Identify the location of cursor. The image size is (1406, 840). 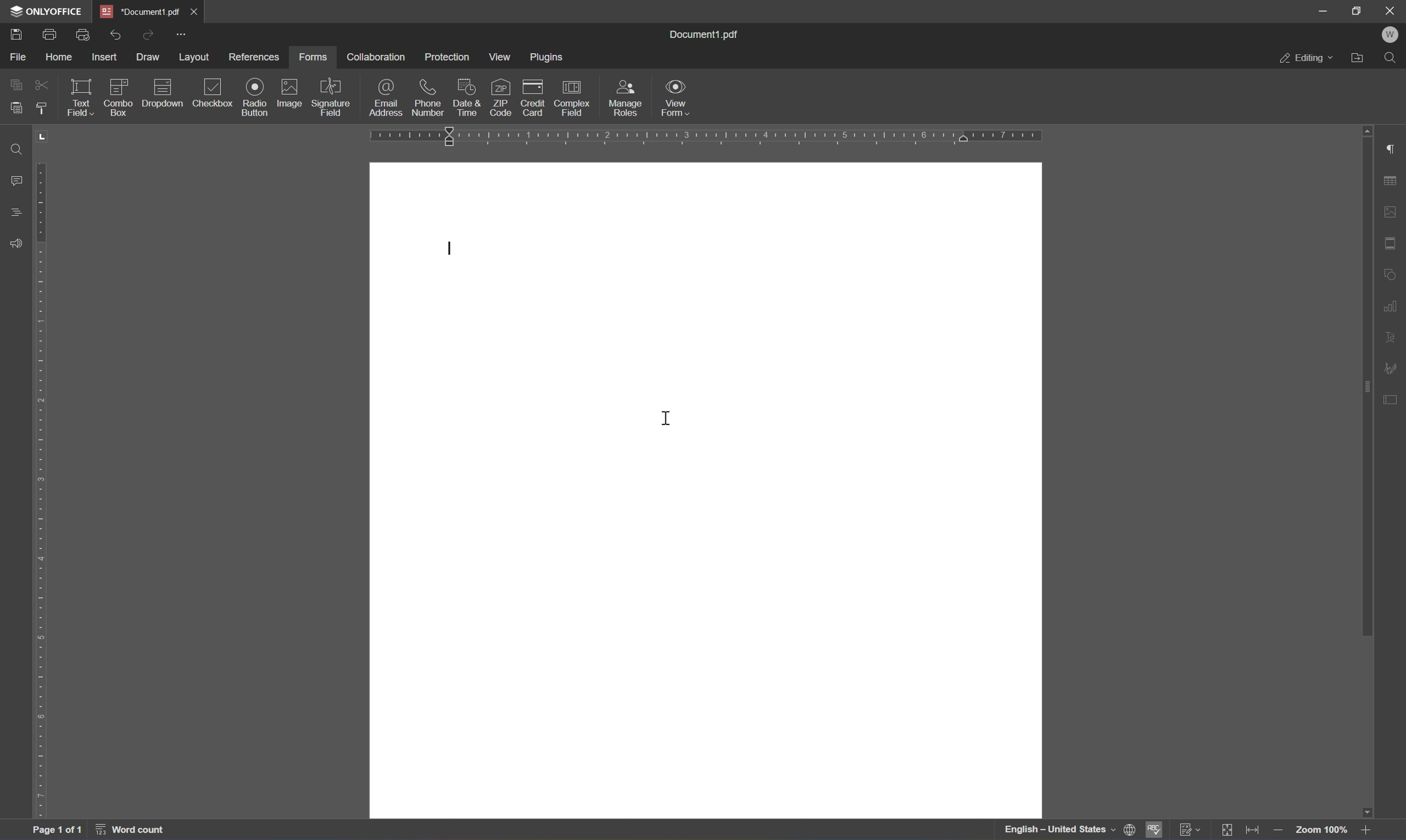
(665, 416).